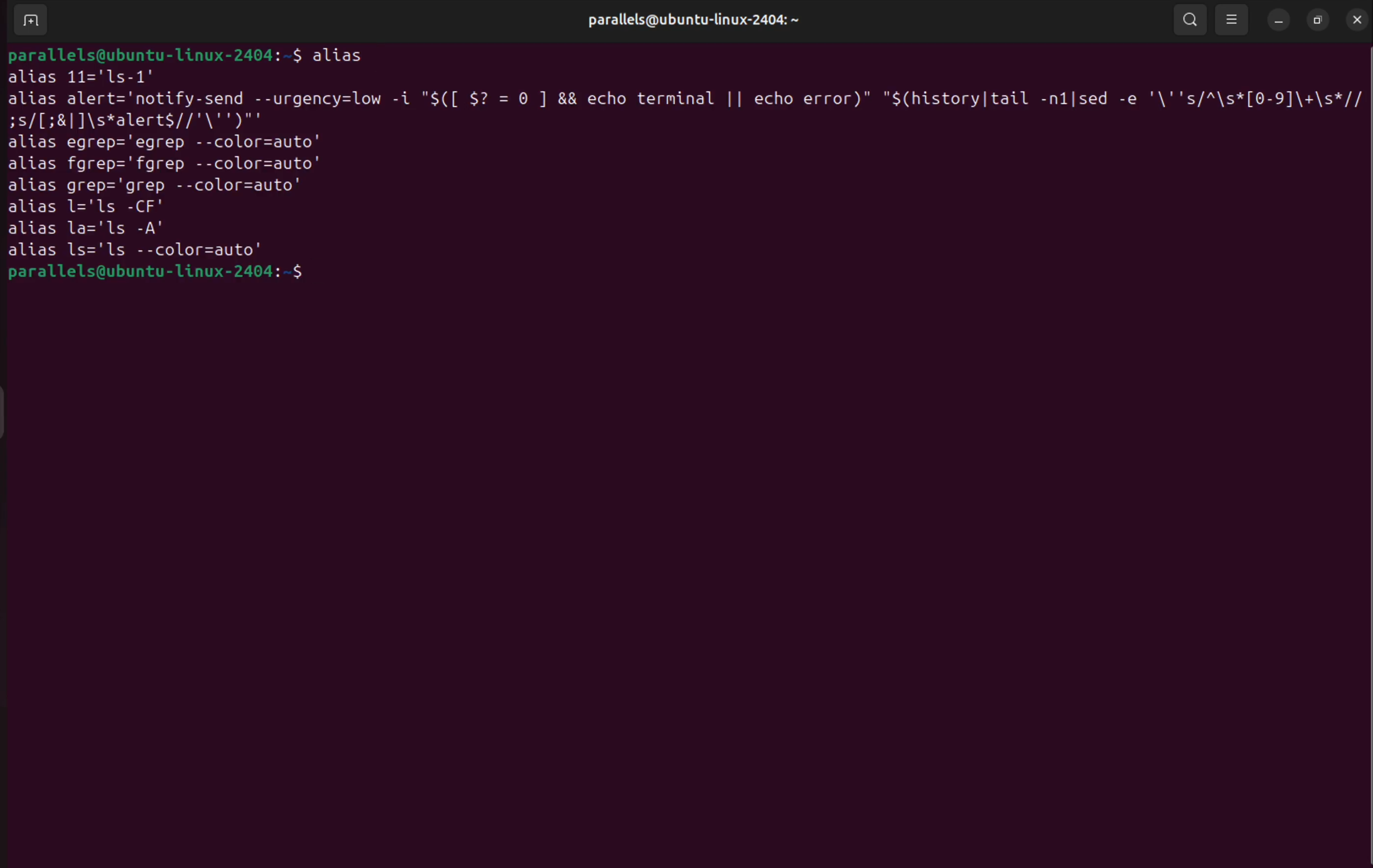  What do you see at coordinates (692, 19) in the screenshot?
I see `username` at bounding box center [692, 19].